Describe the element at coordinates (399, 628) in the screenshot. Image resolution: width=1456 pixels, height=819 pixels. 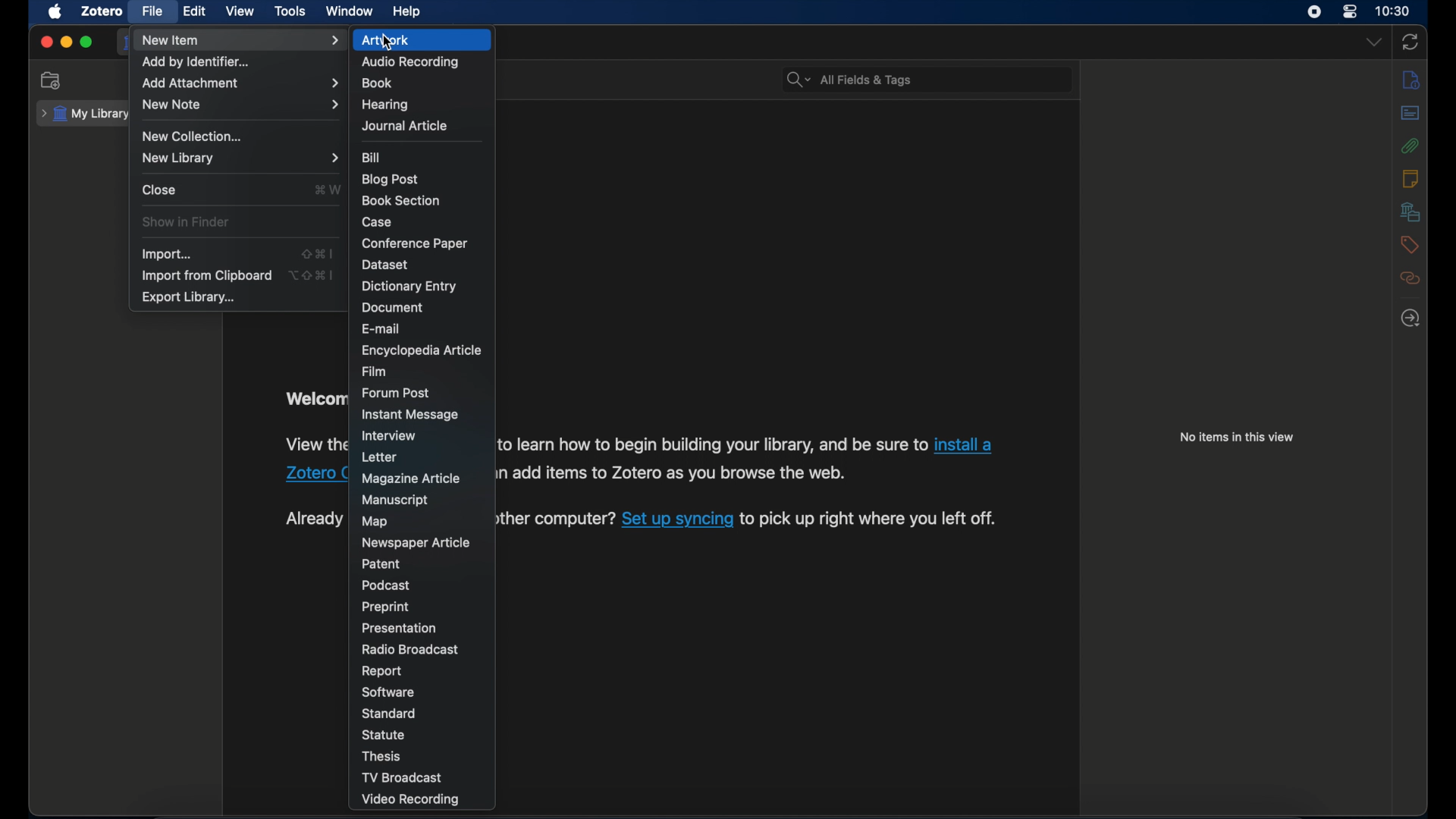
I see `presentation` at that location.